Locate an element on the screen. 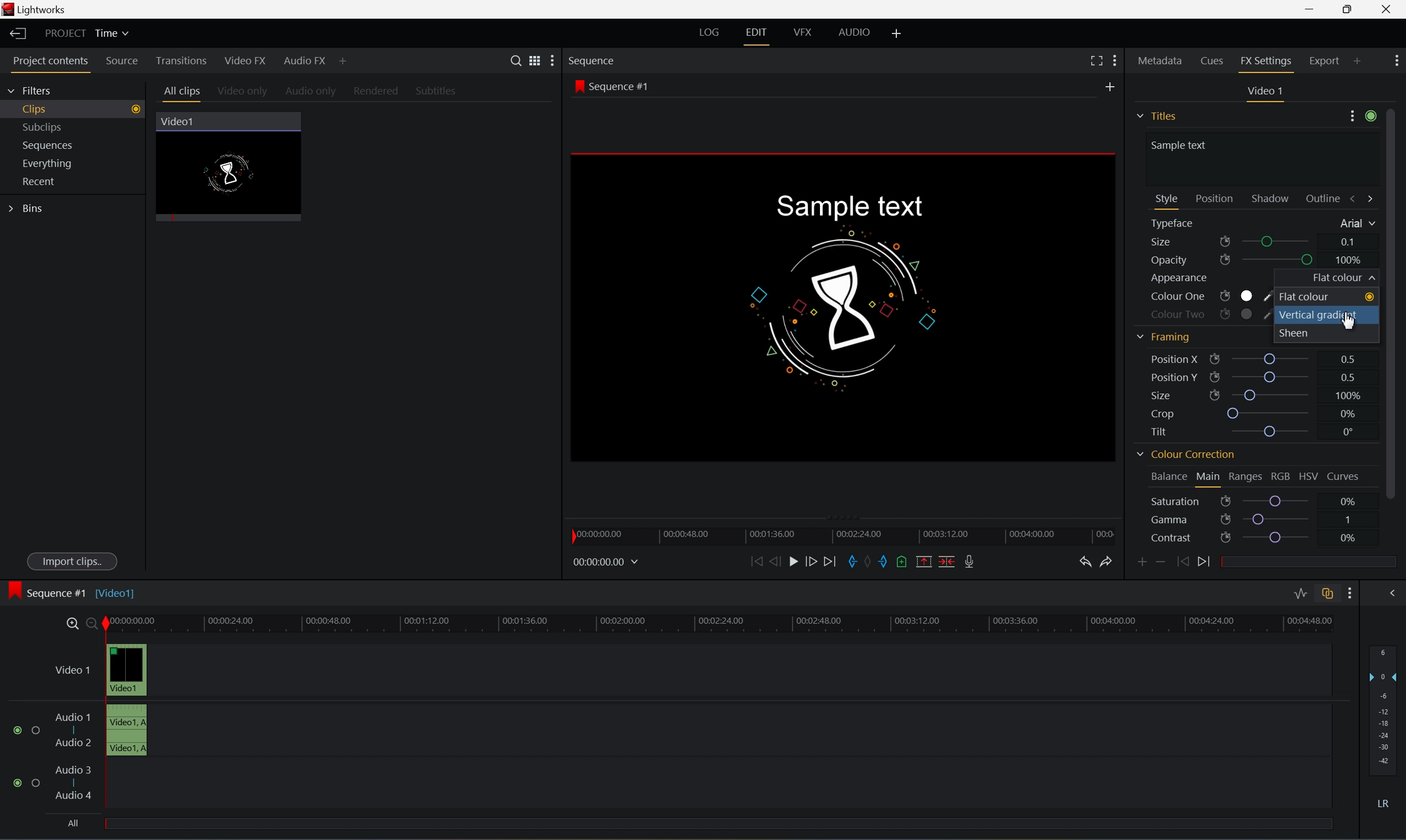  Timeline is located at coordinates (720, 622).